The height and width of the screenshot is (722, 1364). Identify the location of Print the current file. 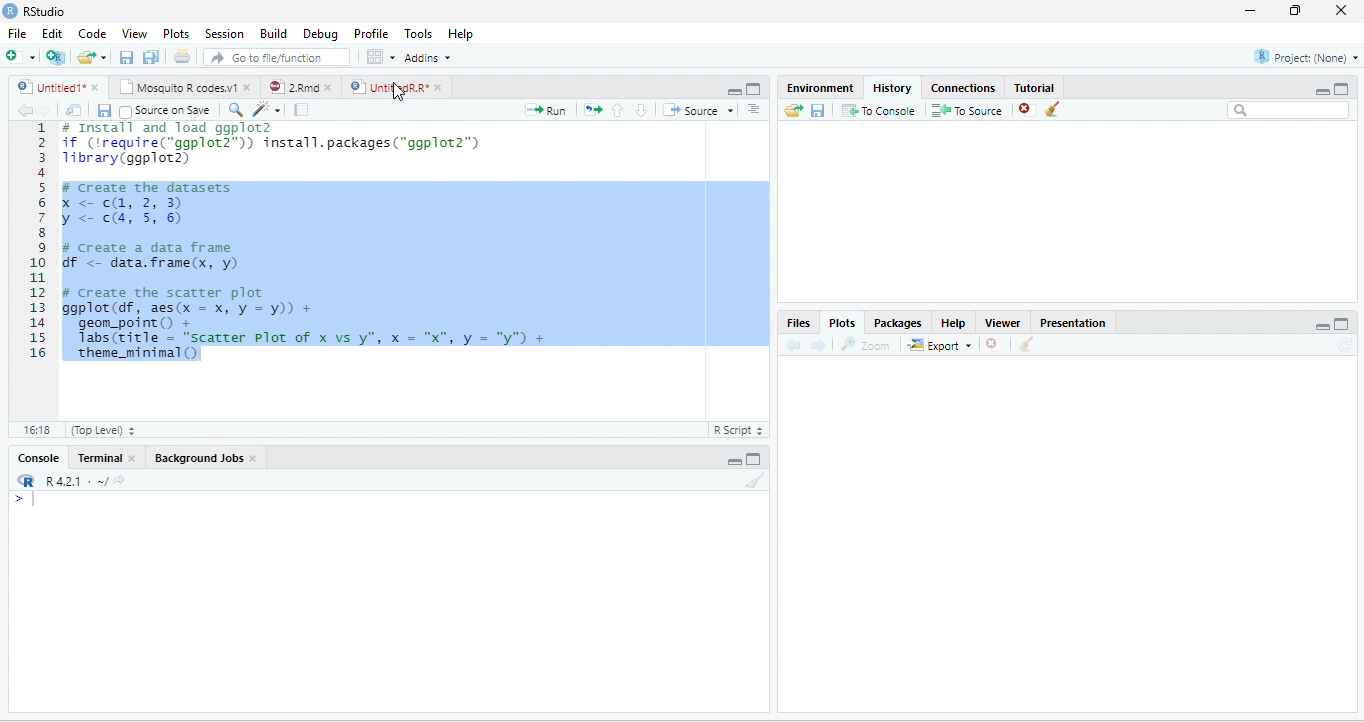
(182, 56).